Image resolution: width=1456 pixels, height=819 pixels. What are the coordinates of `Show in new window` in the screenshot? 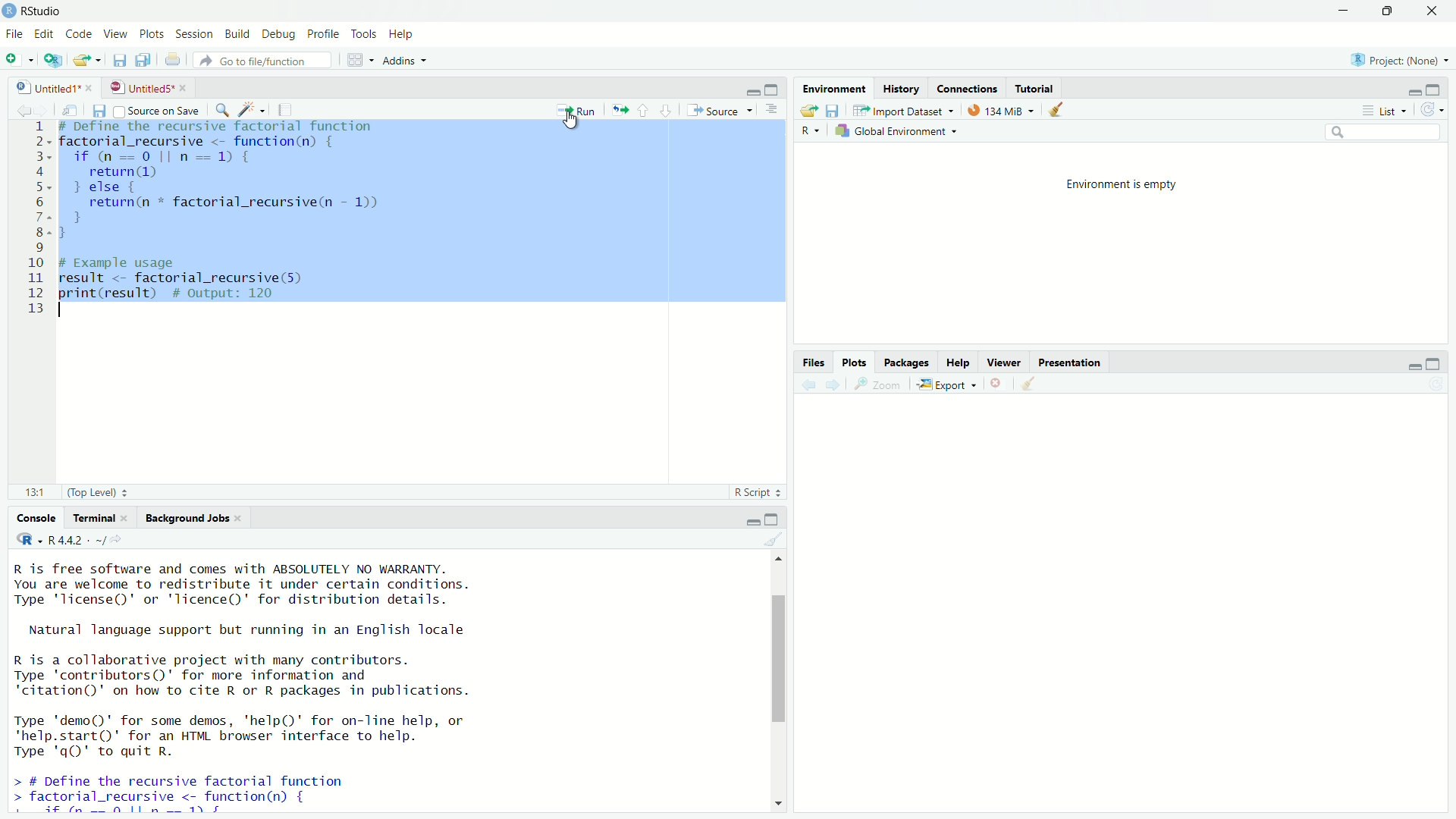 It's located at (74, 108).